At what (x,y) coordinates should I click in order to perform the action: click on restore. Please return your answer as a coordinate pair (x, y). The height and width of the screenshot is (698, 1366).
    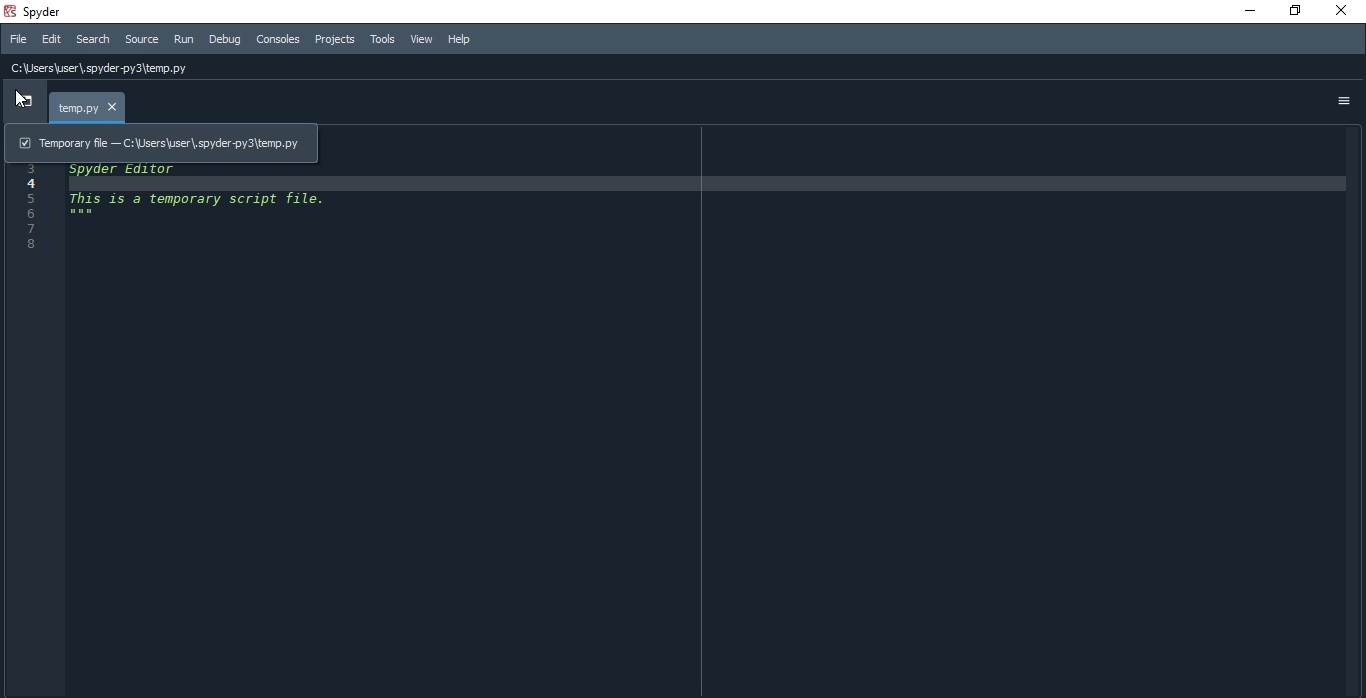
    Looking at the image, I should click on (1298, 11).